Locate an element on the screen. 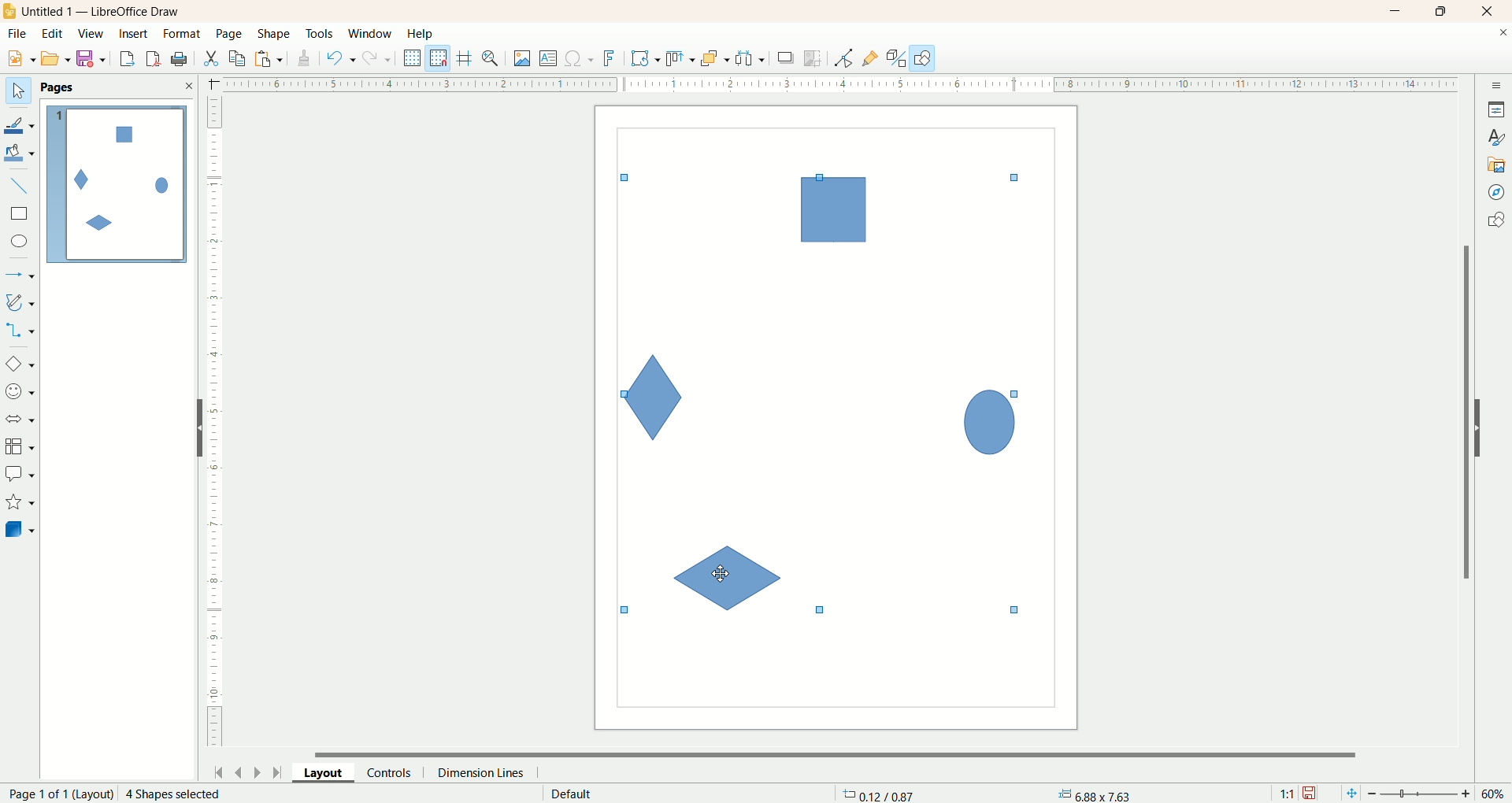  cursor is located at coordinates (722, 574).